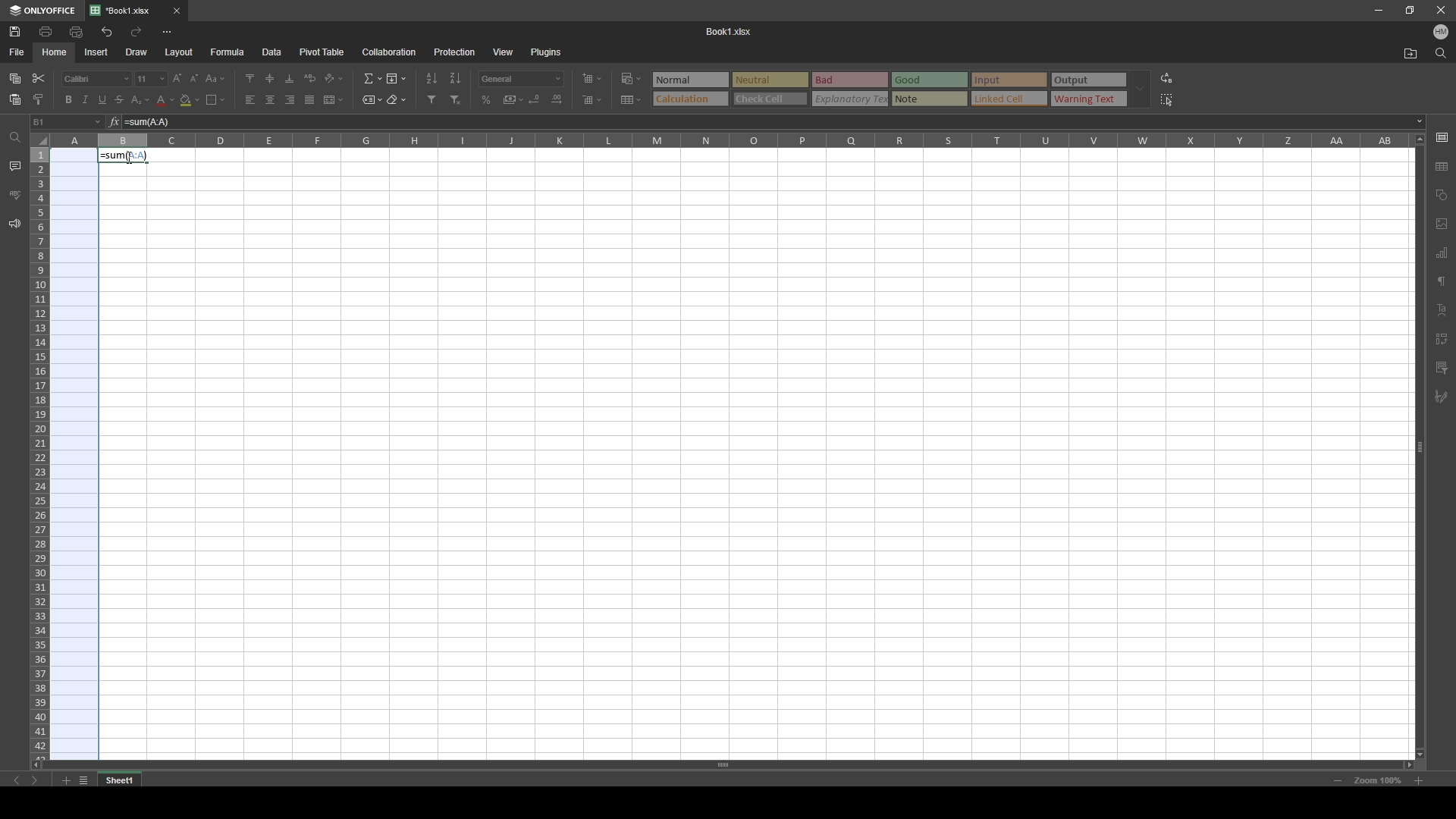 Image resolution: width=1456 pixels, height=819 pixels. What do you see at coordinates (390, 52) in the screenshot?
I see `collaboration` at bounding box center [390, 52].